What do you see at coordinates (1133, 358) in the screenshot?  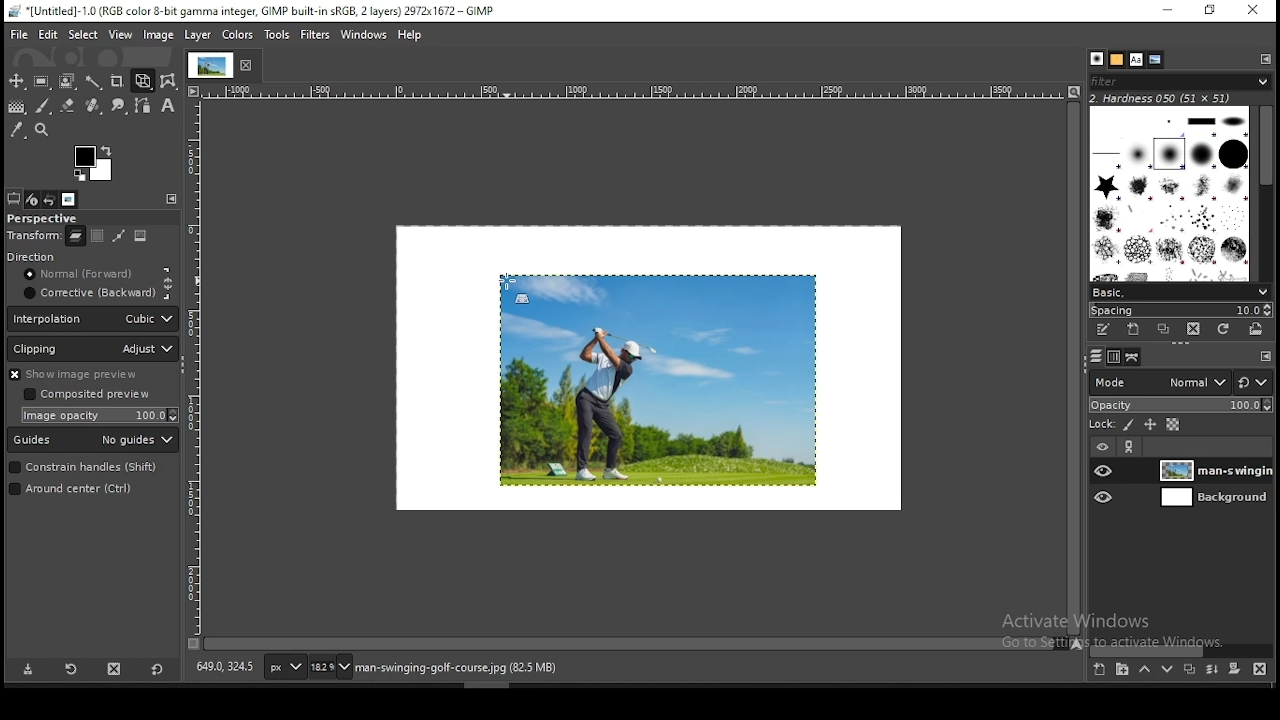 I see `paths` at bounding box center [1133, 358].